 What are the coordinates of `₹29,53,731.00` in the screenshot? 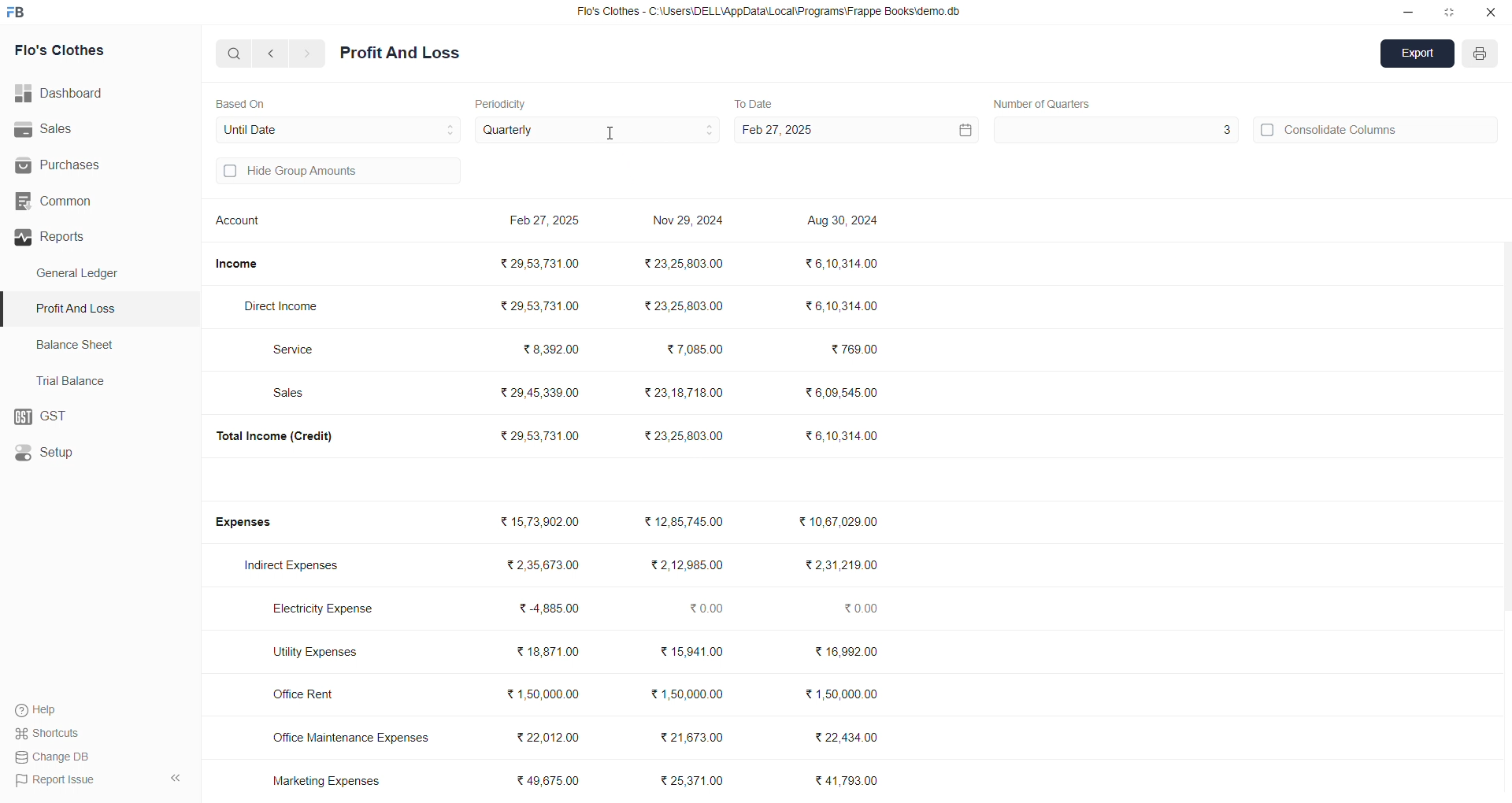 It's located at (540, 435).